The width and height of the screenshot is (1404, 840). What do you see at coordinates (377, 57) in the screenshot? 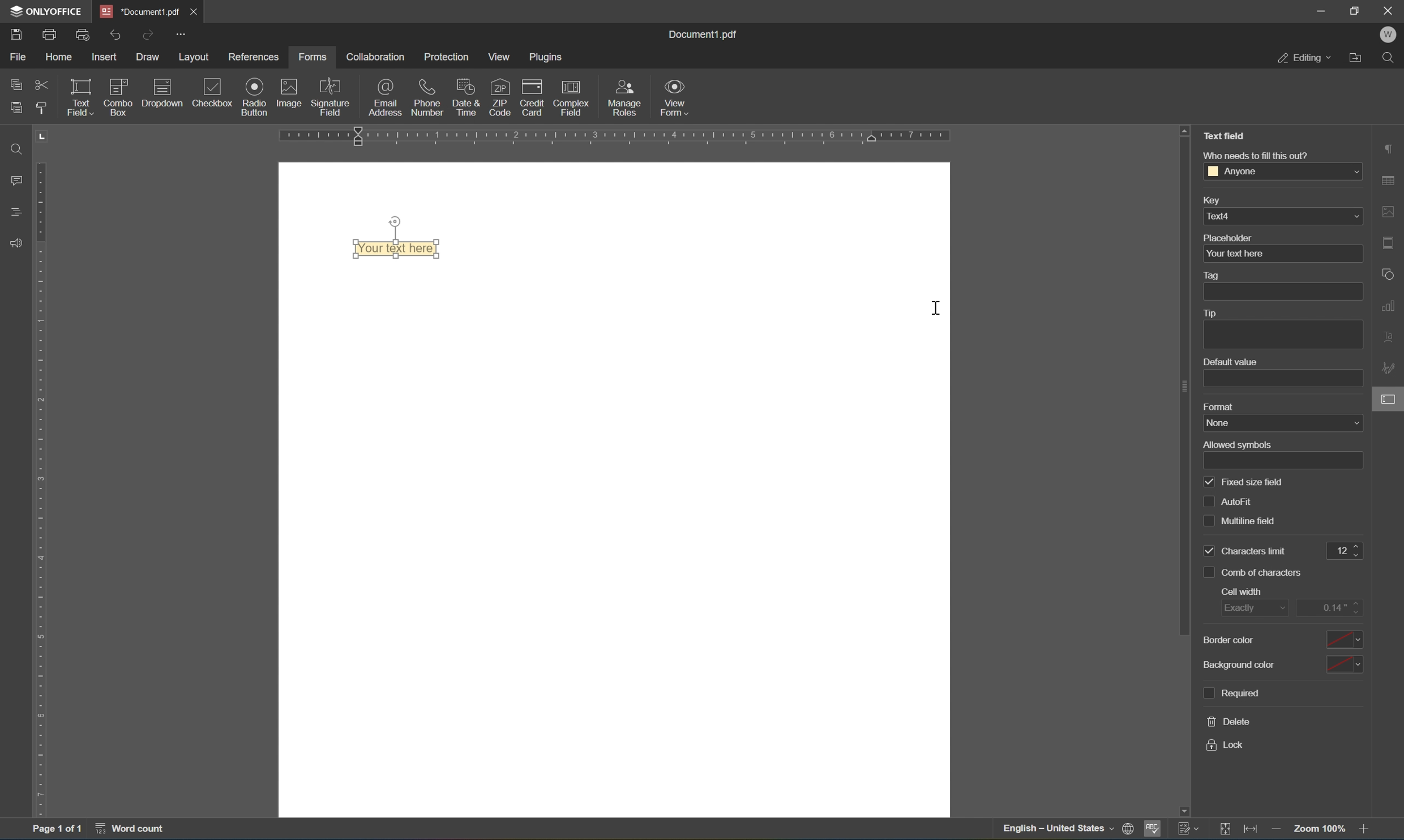
I see `collaboration` at bounding box center [377, 57].